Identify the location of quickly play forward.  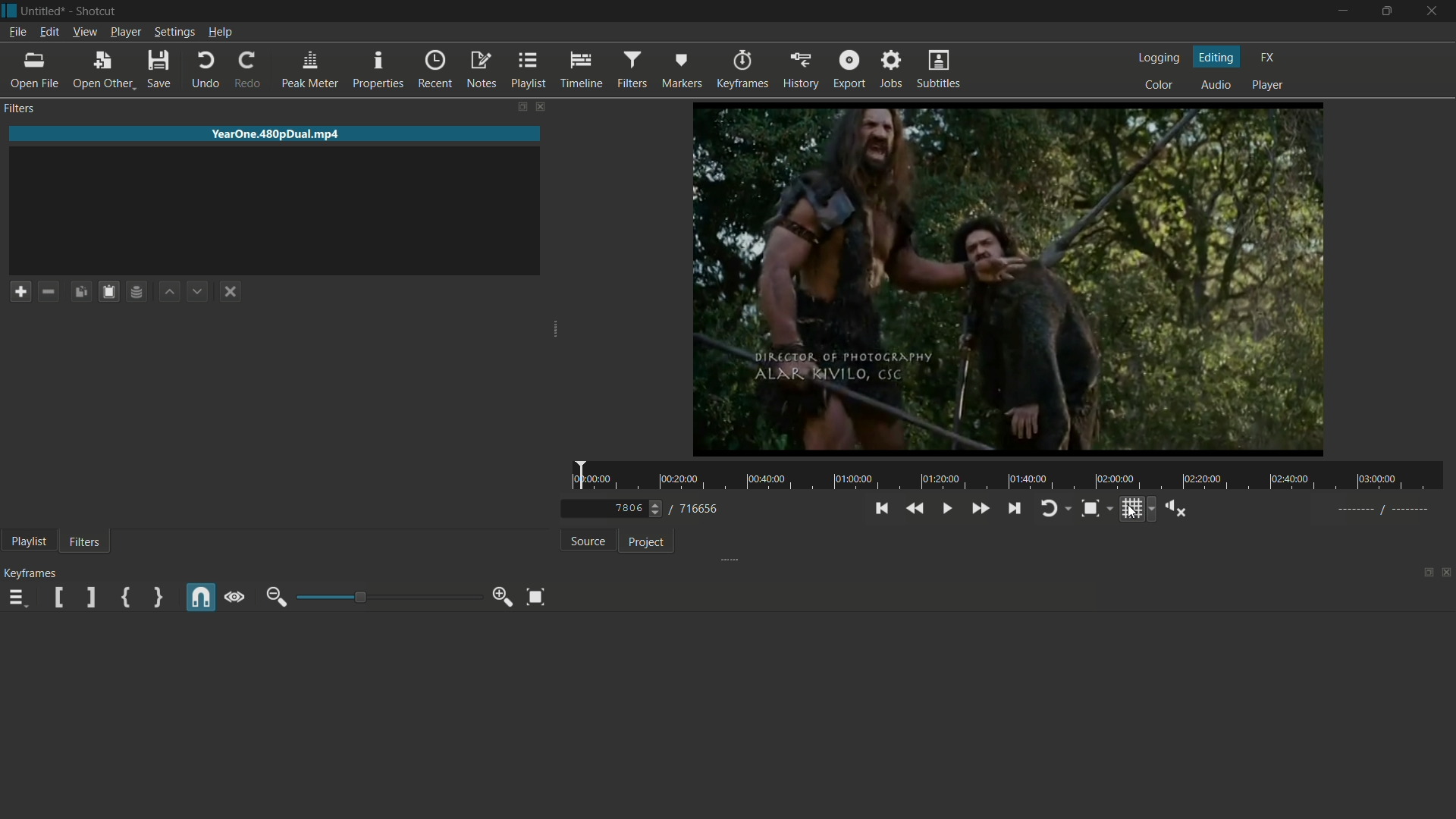
(981, 507).